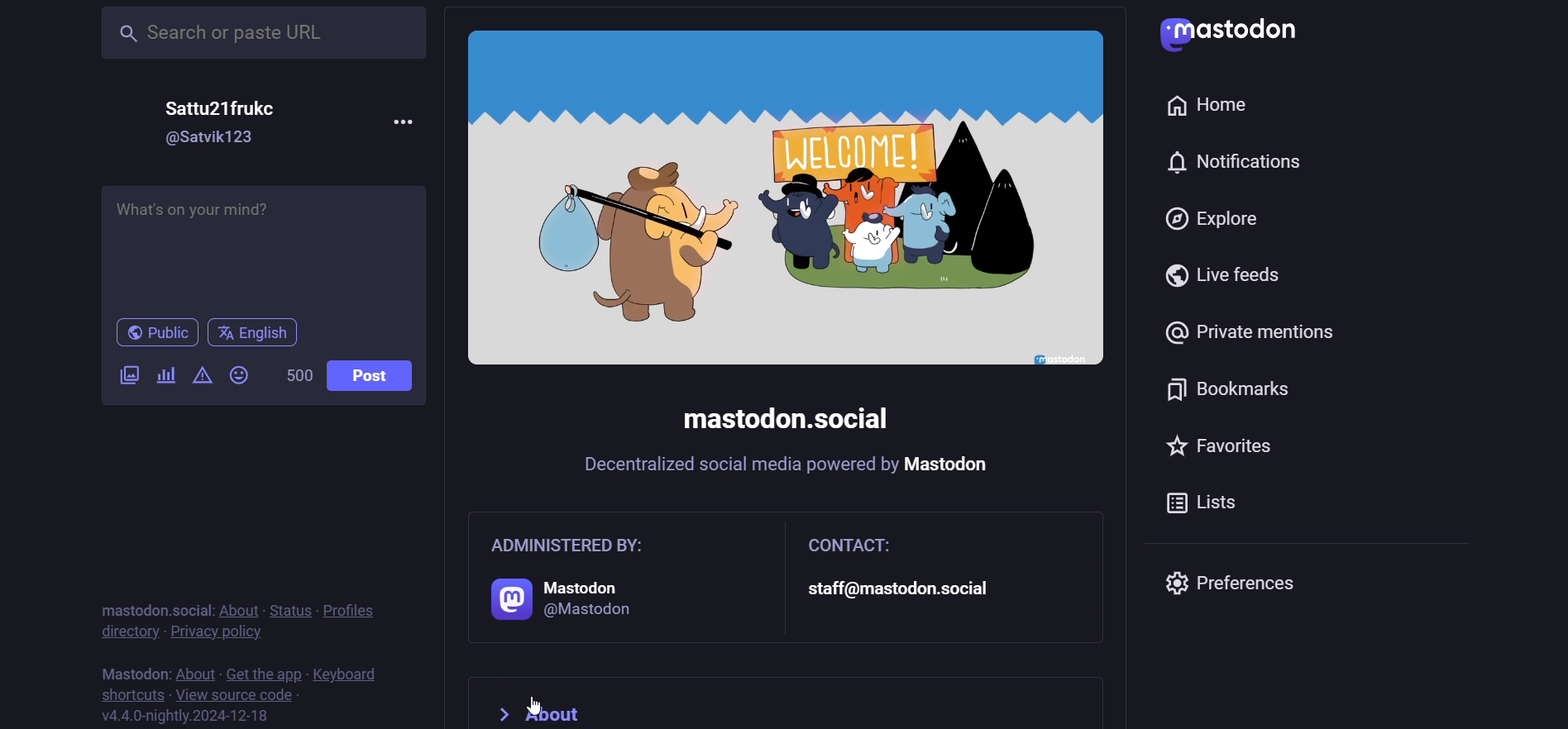  What do you see at coordinates (237, 610) in the screenshot?
I see `about` at bounding box center [237, 610].